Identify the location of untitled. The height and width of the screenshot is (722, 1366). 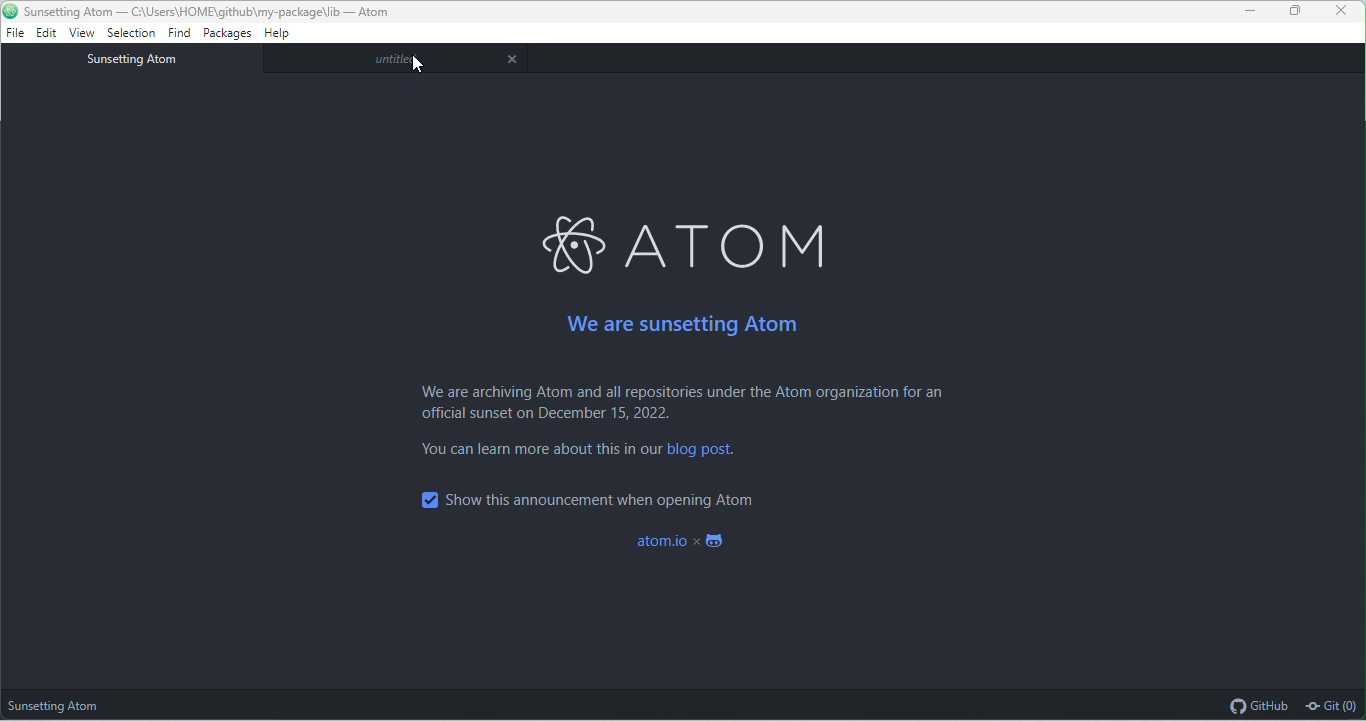
(388, 58).